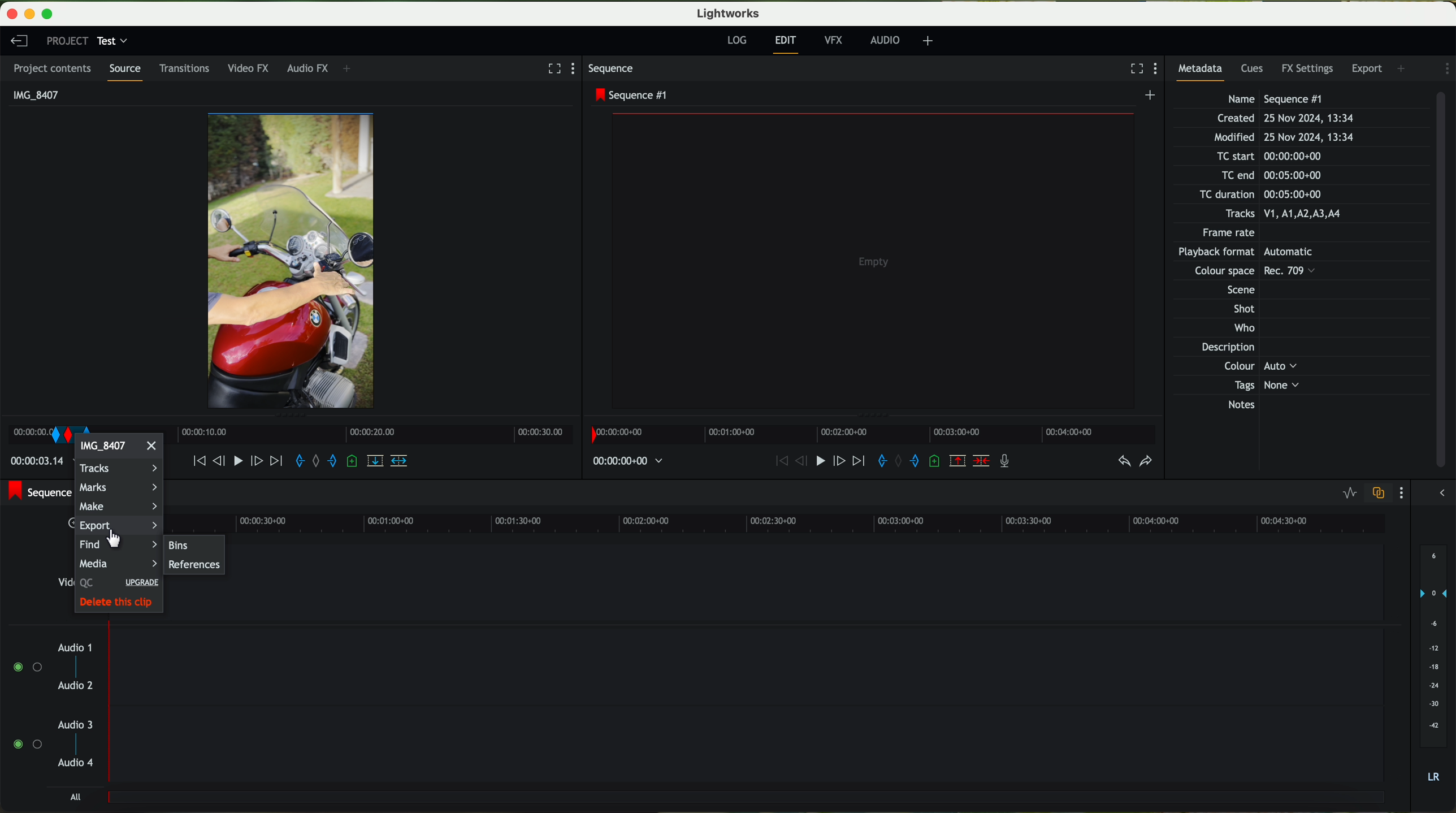  Describe the element at coordinates (119, 604) in the screenshot. I see `delete this clip` at that location.